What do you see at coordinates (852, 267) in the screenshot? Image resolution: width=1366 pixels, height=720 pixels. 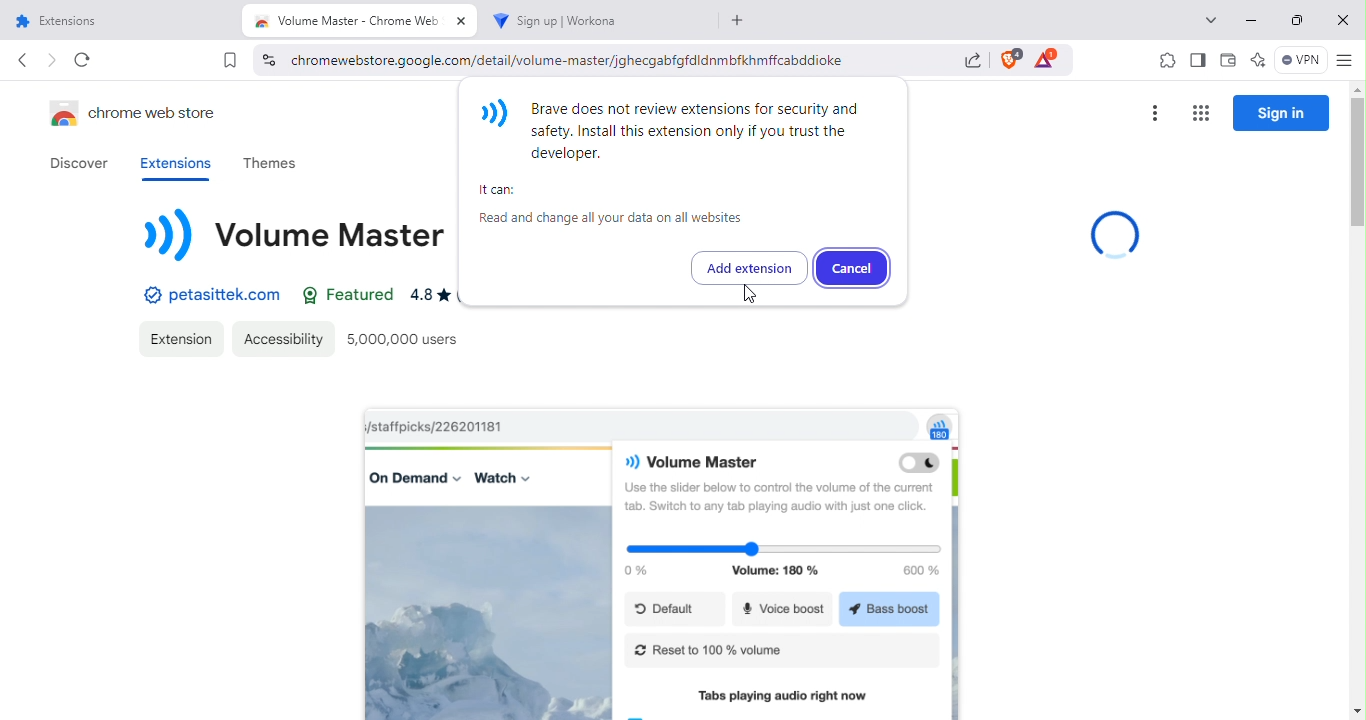 I see `Cancel` at bounding box center [852, 267].